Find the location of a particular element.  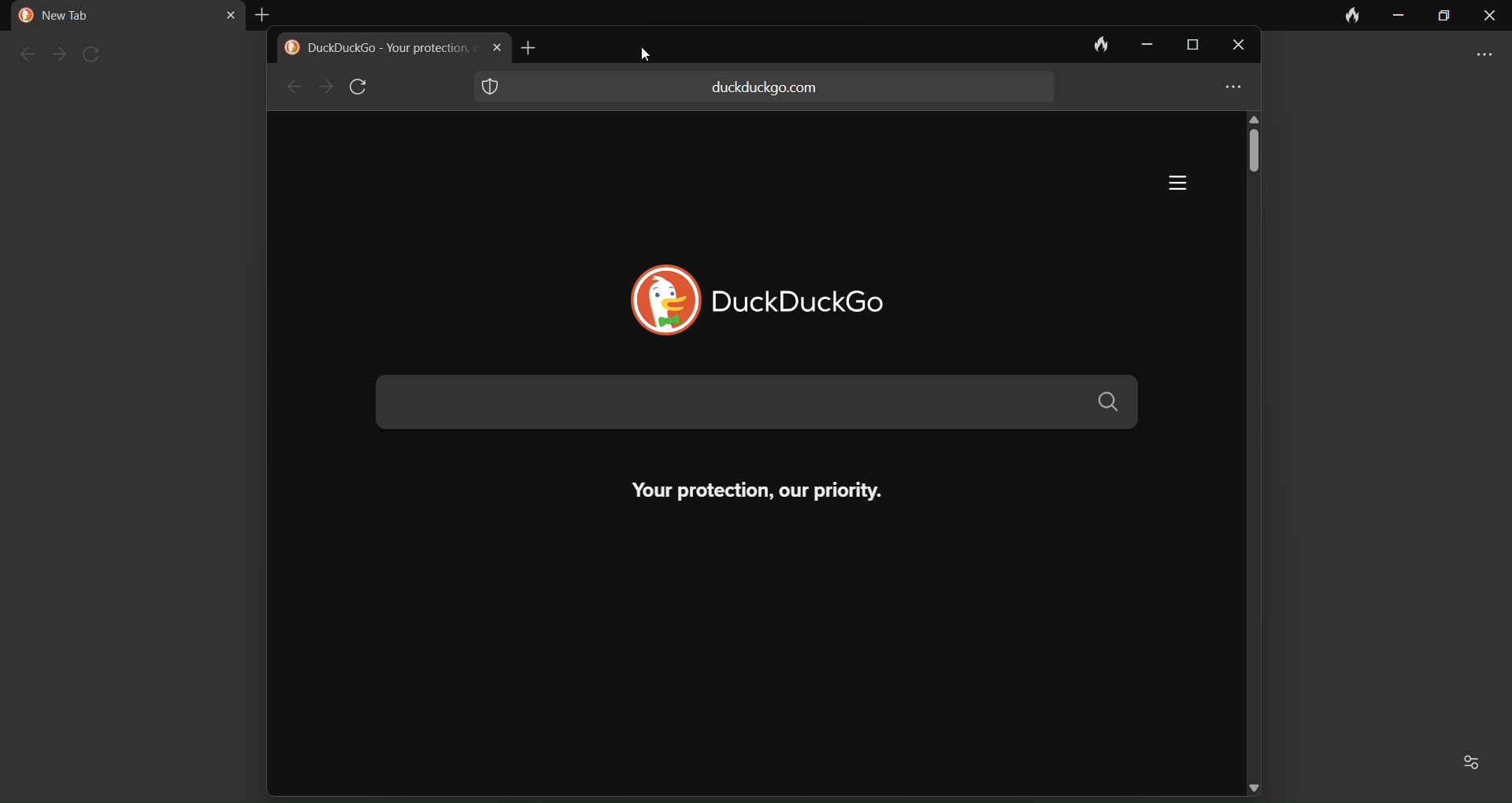

down is located at coordinates (1254, 783).